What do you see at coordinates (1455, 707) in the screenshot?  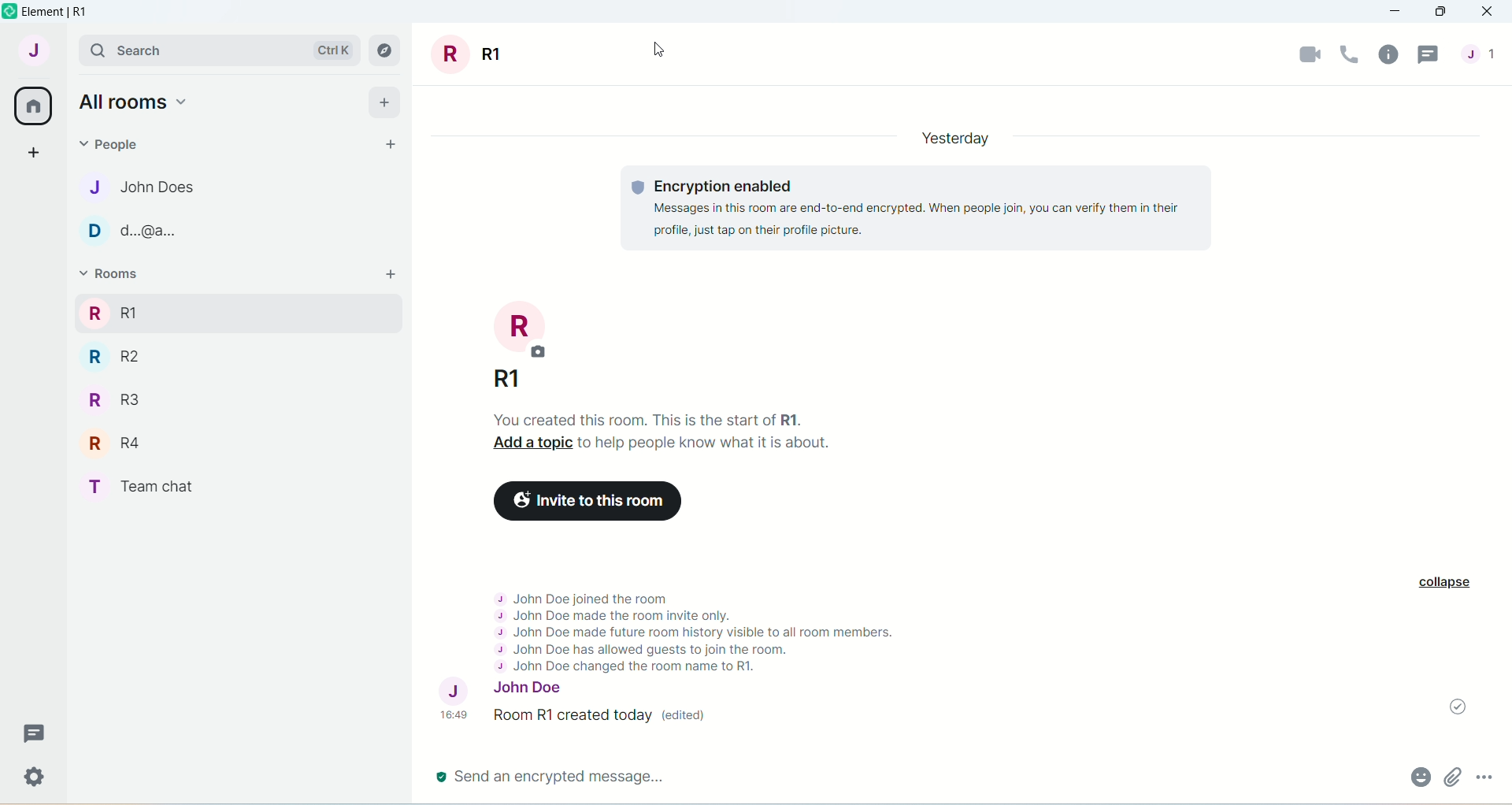 I see `message sent` at bounding box center [1455, 707].